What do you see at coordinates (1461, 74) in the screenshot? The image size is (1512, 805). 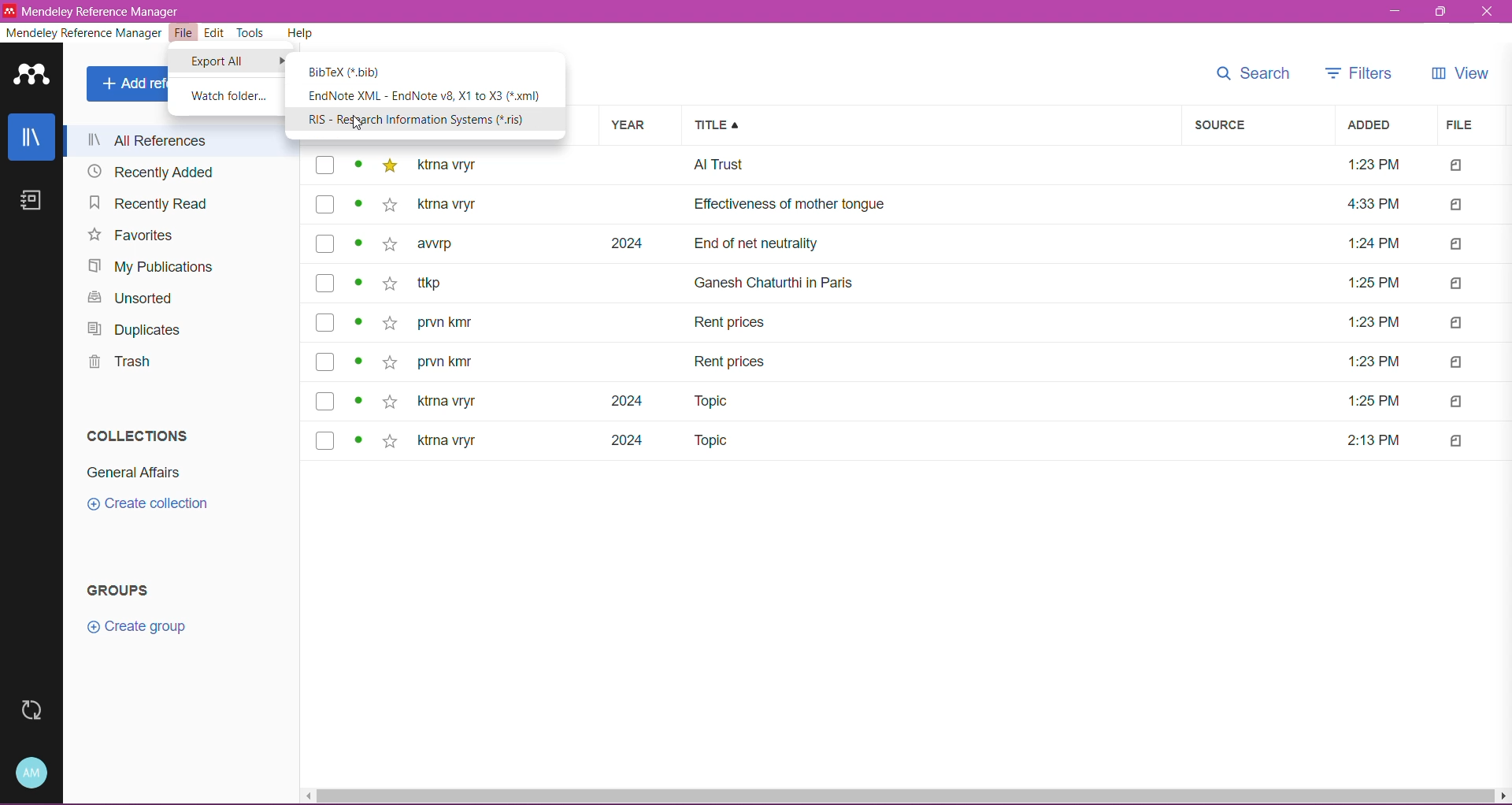 I see `View` at bounding box center [1461, 74].